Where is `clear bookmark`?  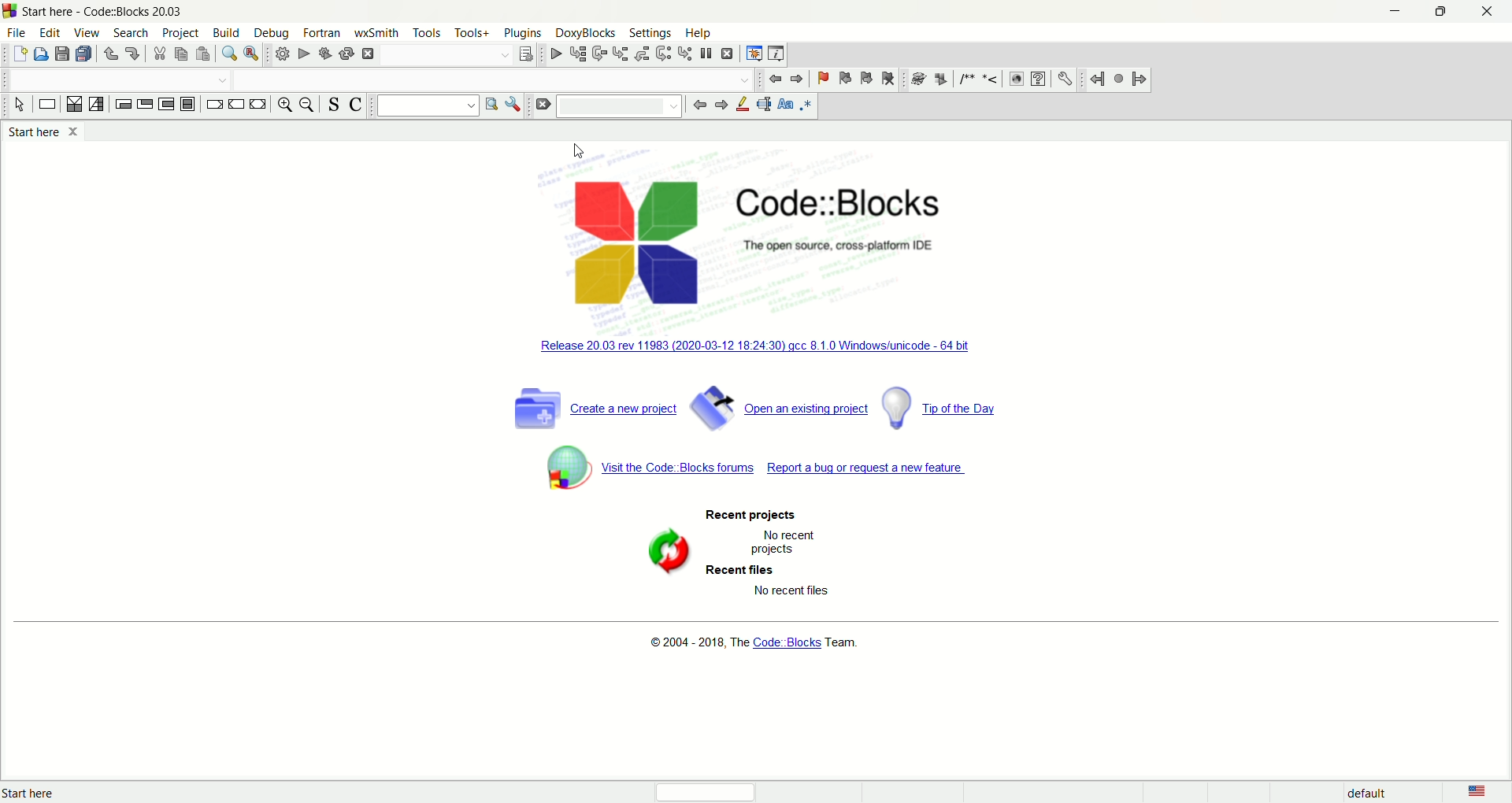
clear bookmark is located at coordinates (888, 78).